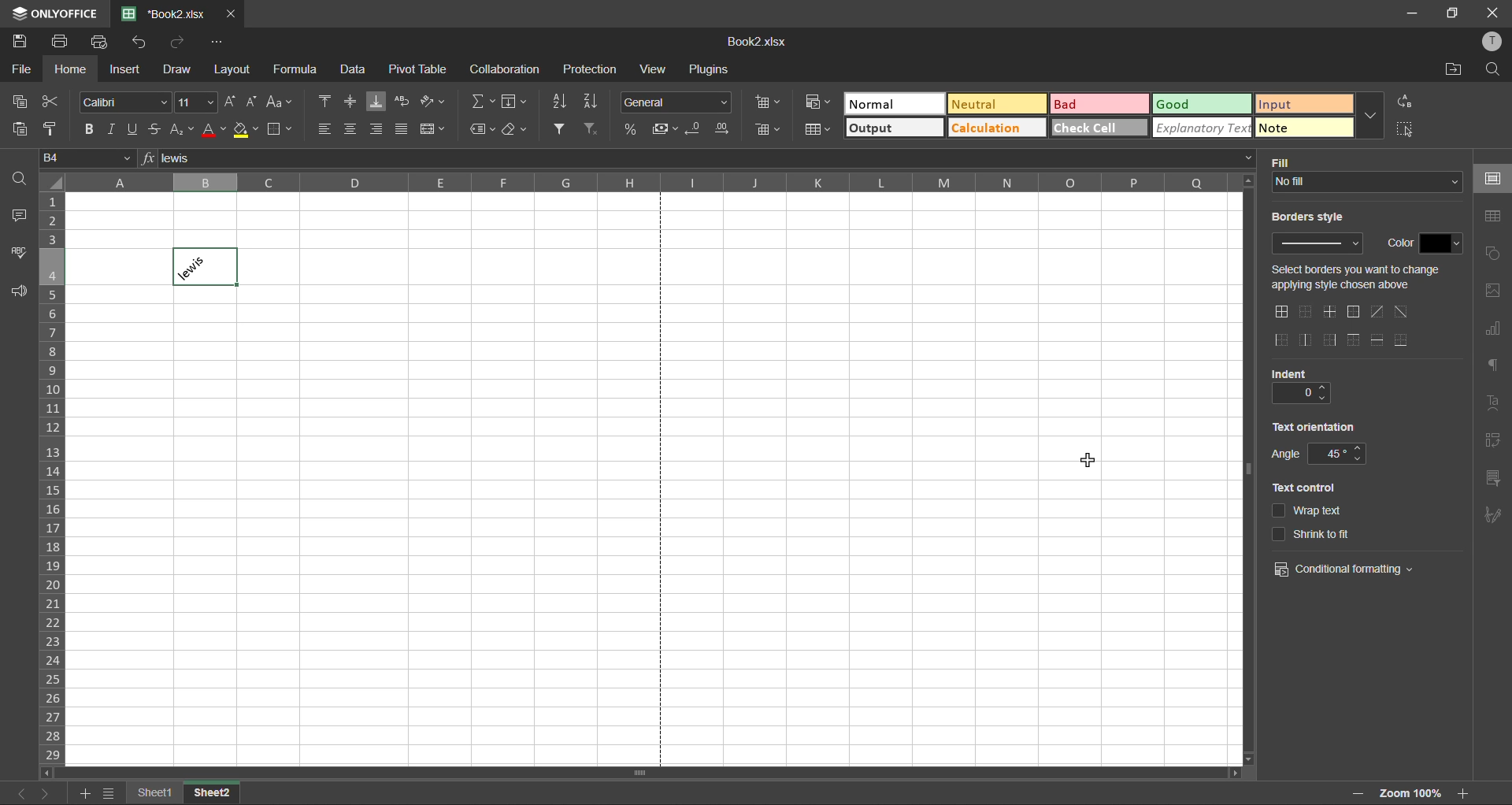 The width and height of the screenshot is (1512, 805). Describe the element at coordinates (24, 130) in the screenshot. I see `paste` at that location.